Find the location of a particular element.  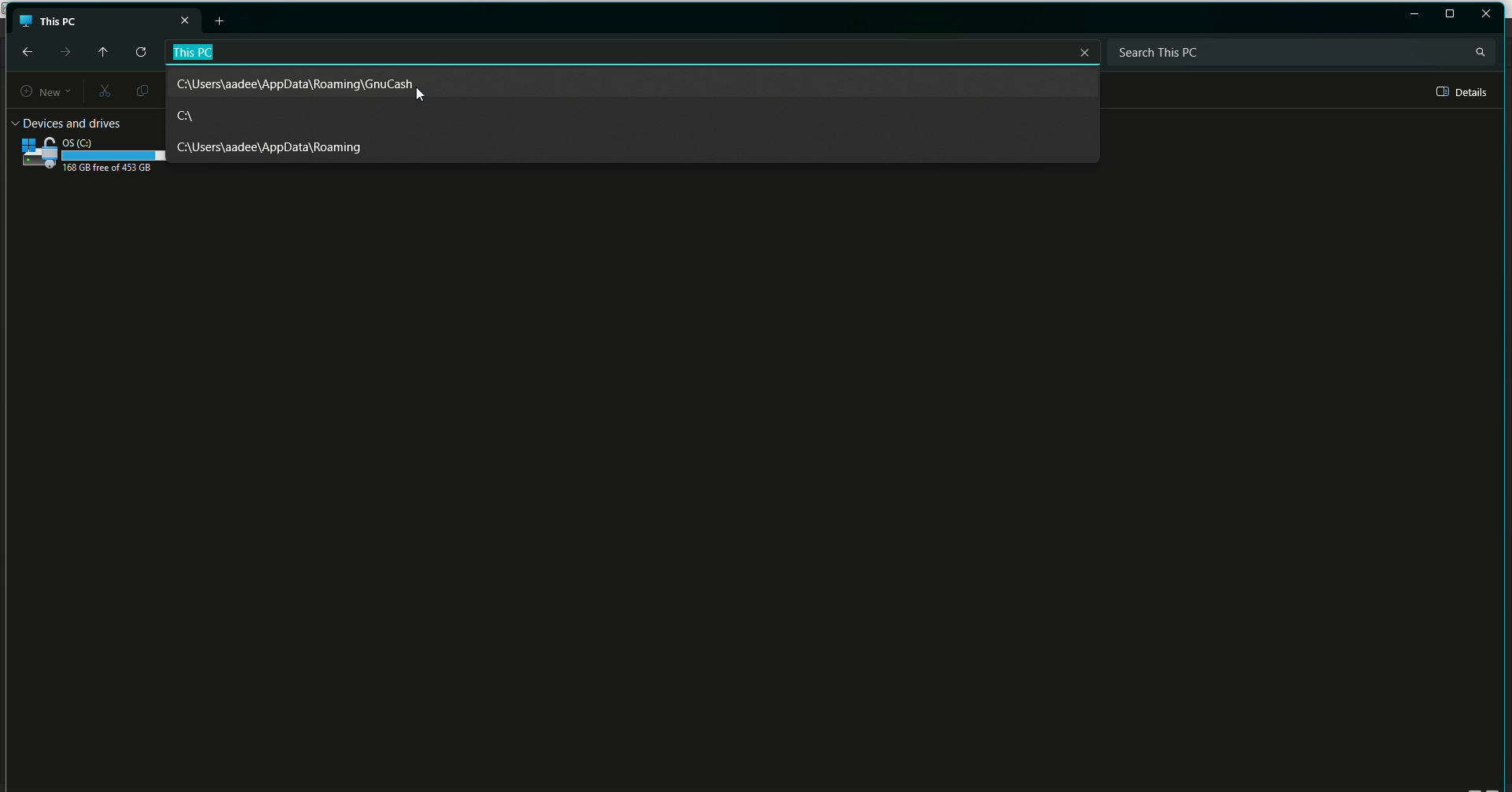

Refresh is located at coordinates (139, 53).